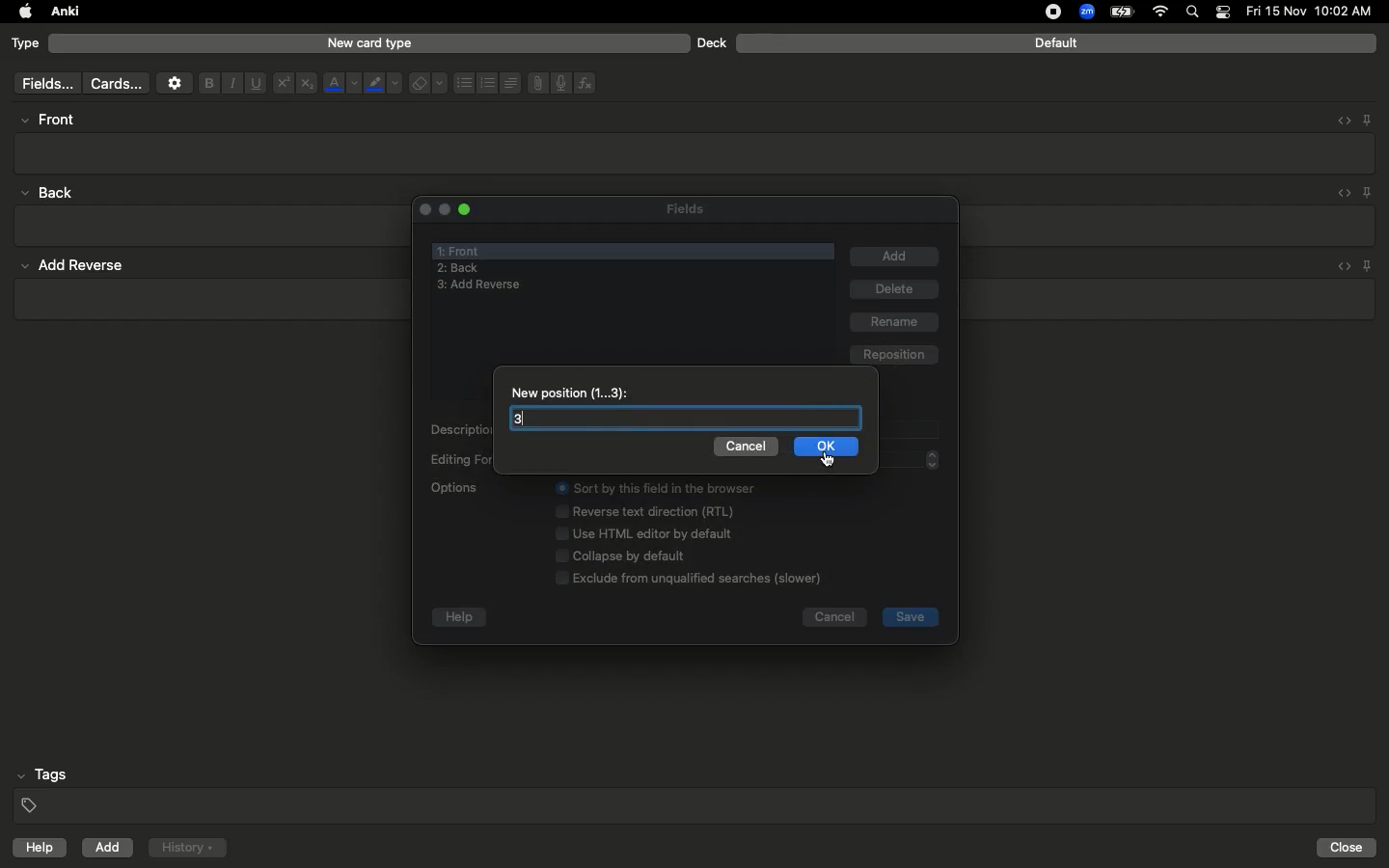  What do you see at coordinates (696, 152) in the screenshot?
I see `Textbox` at bounding box center [696, 152].